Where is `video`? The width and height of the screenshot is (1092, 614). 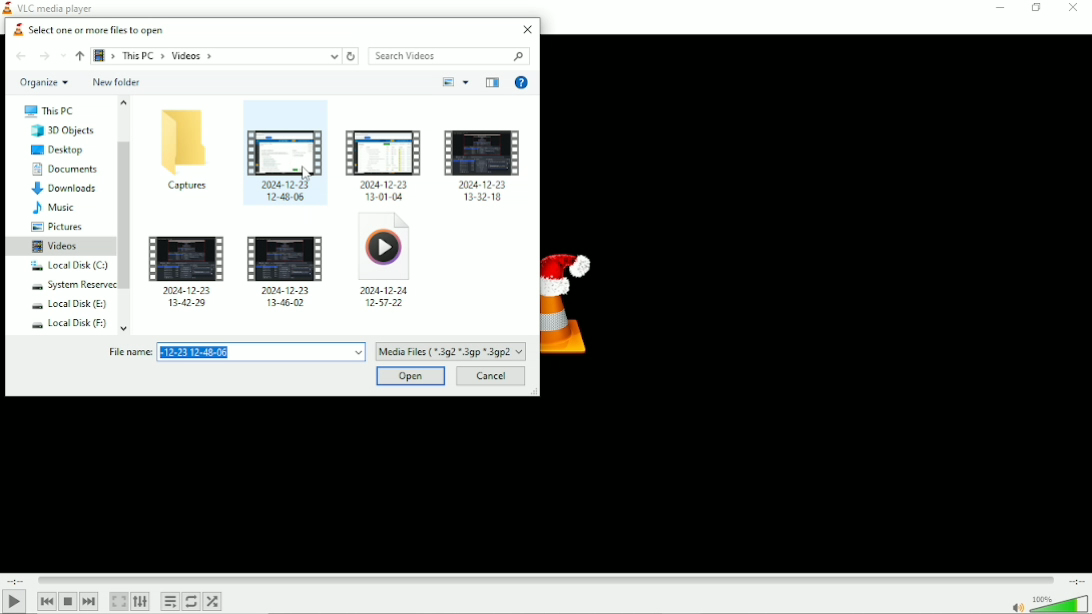 video is located at coordinates (383, 163).